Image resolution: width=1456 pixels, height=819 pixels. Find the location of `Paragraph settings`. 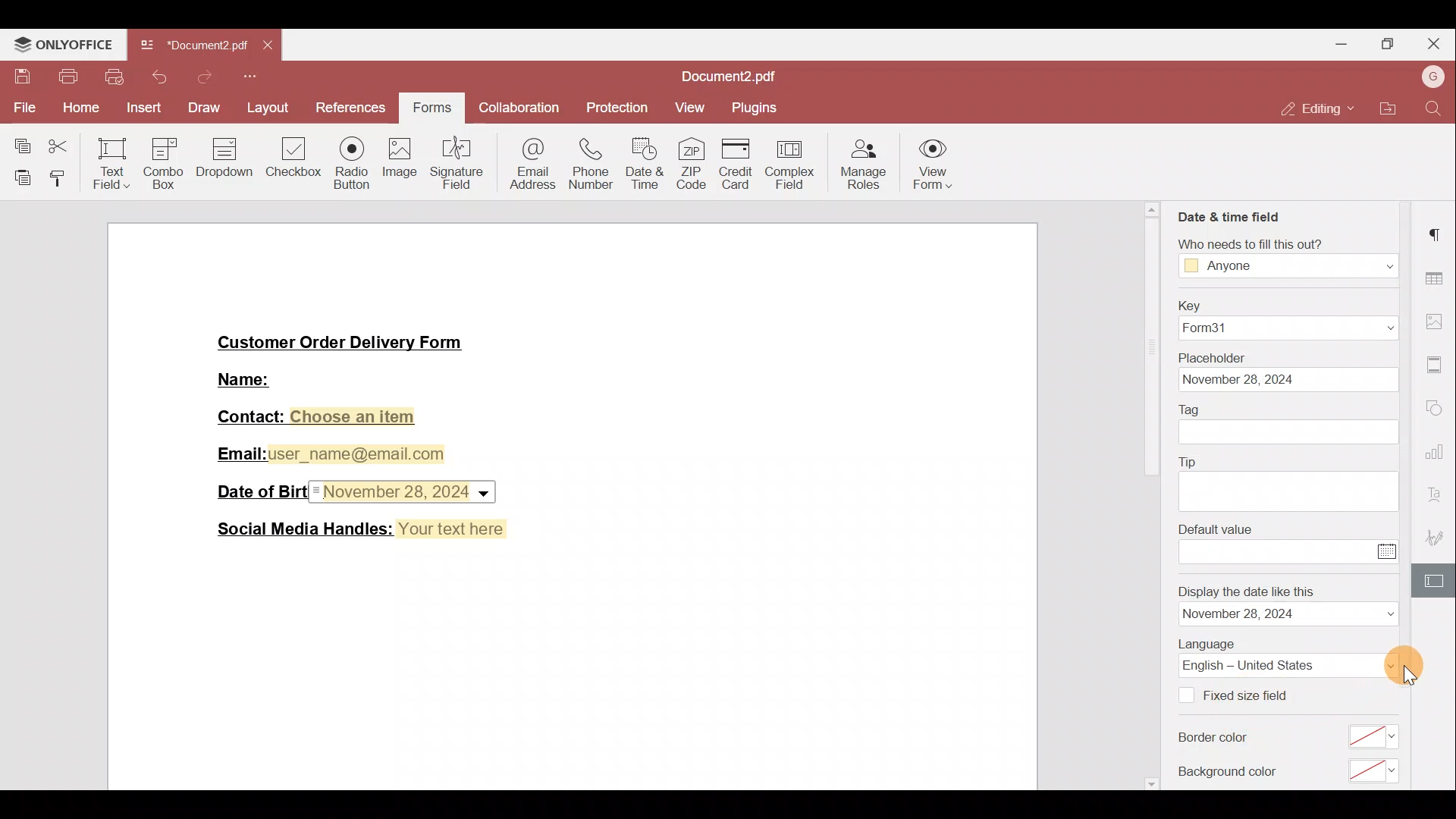

Paragraph settings is located at coordinates (1439, 234).